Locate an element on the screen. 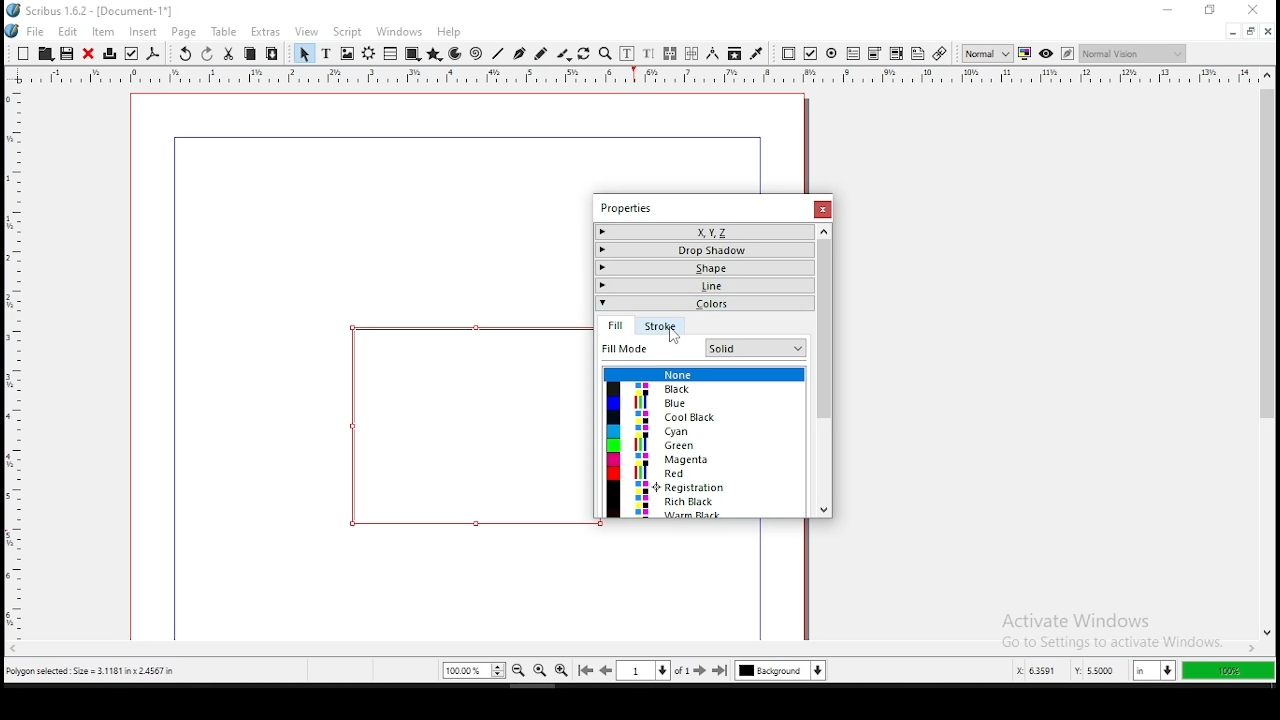 Image resolution: width=1280 pixels, height=720 pixels. shape is located at coordinates (464, 426).